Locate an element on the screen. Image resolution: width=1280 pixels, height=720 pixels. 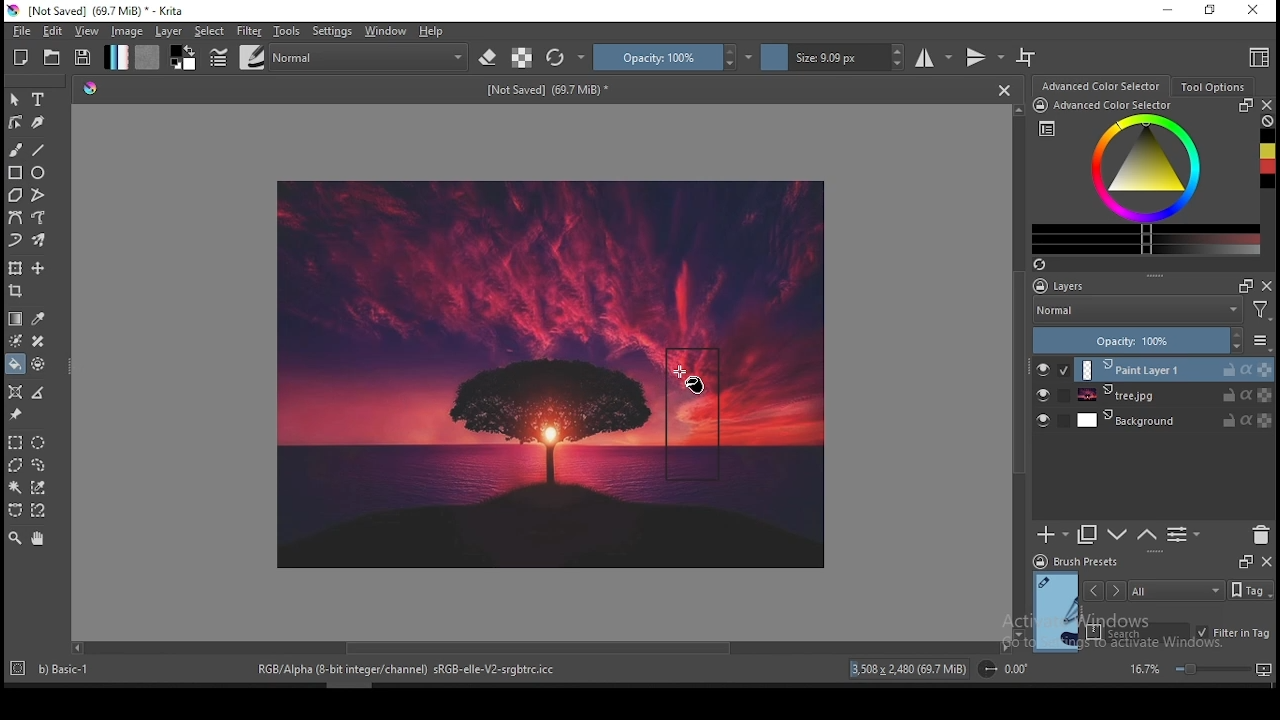
similar color selection tool is located at coordinates (39, 487).